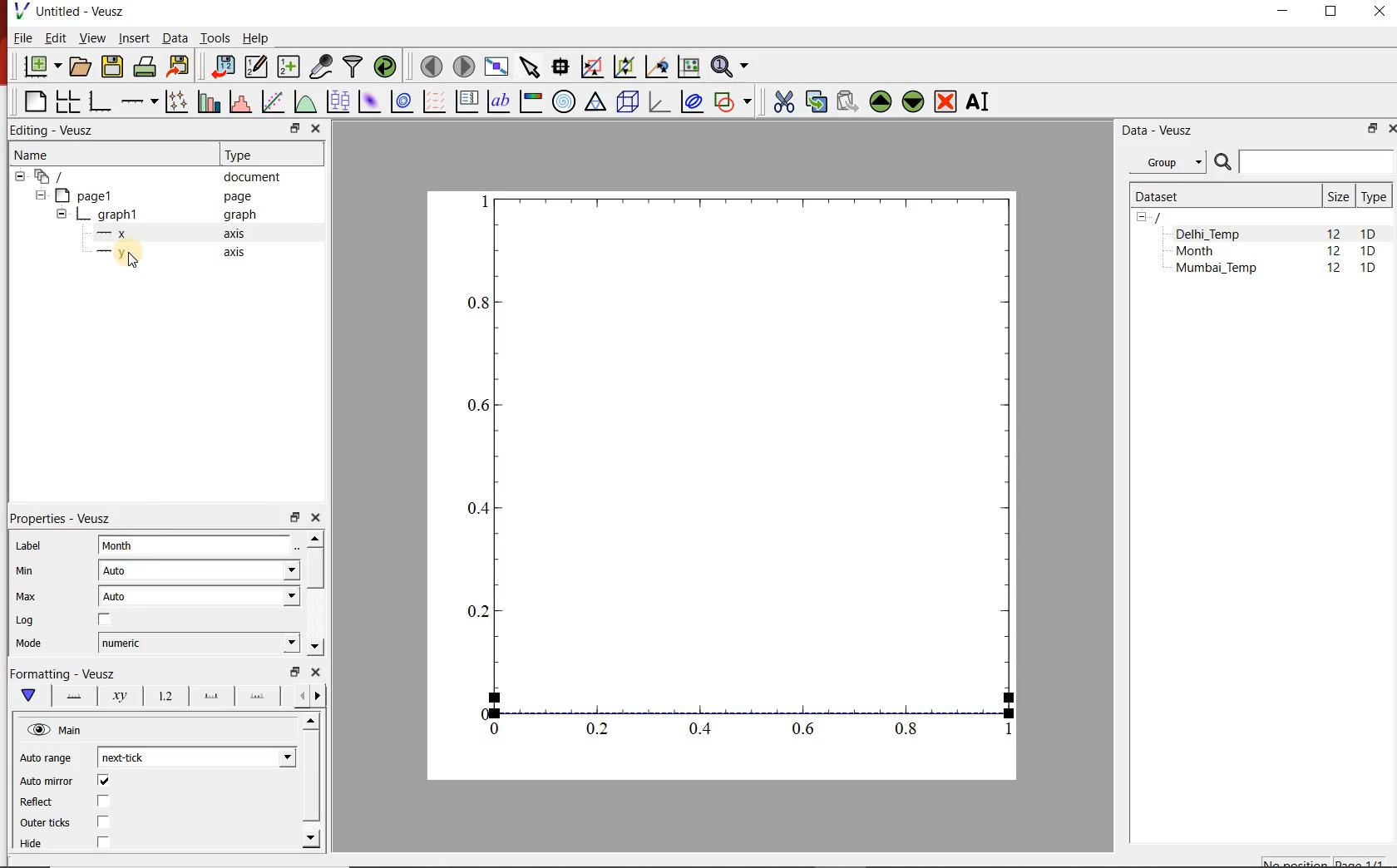  Describe the element at coordinates (592, 67) in the screenshot. I see `click or draw a rectangle to zoom graph indexes` at that location.